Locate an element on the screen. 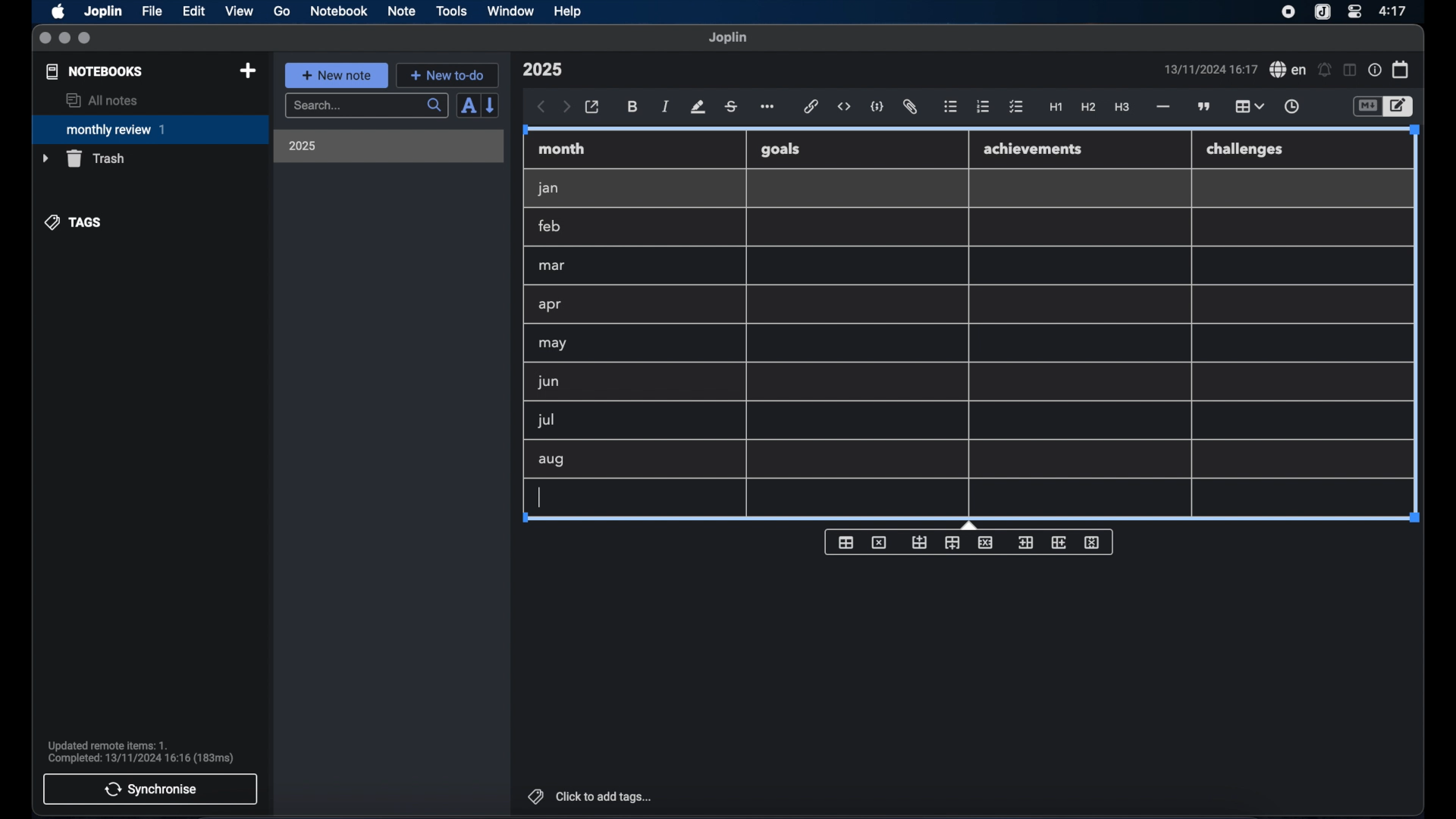  aug is located at coordinates (551, 461).